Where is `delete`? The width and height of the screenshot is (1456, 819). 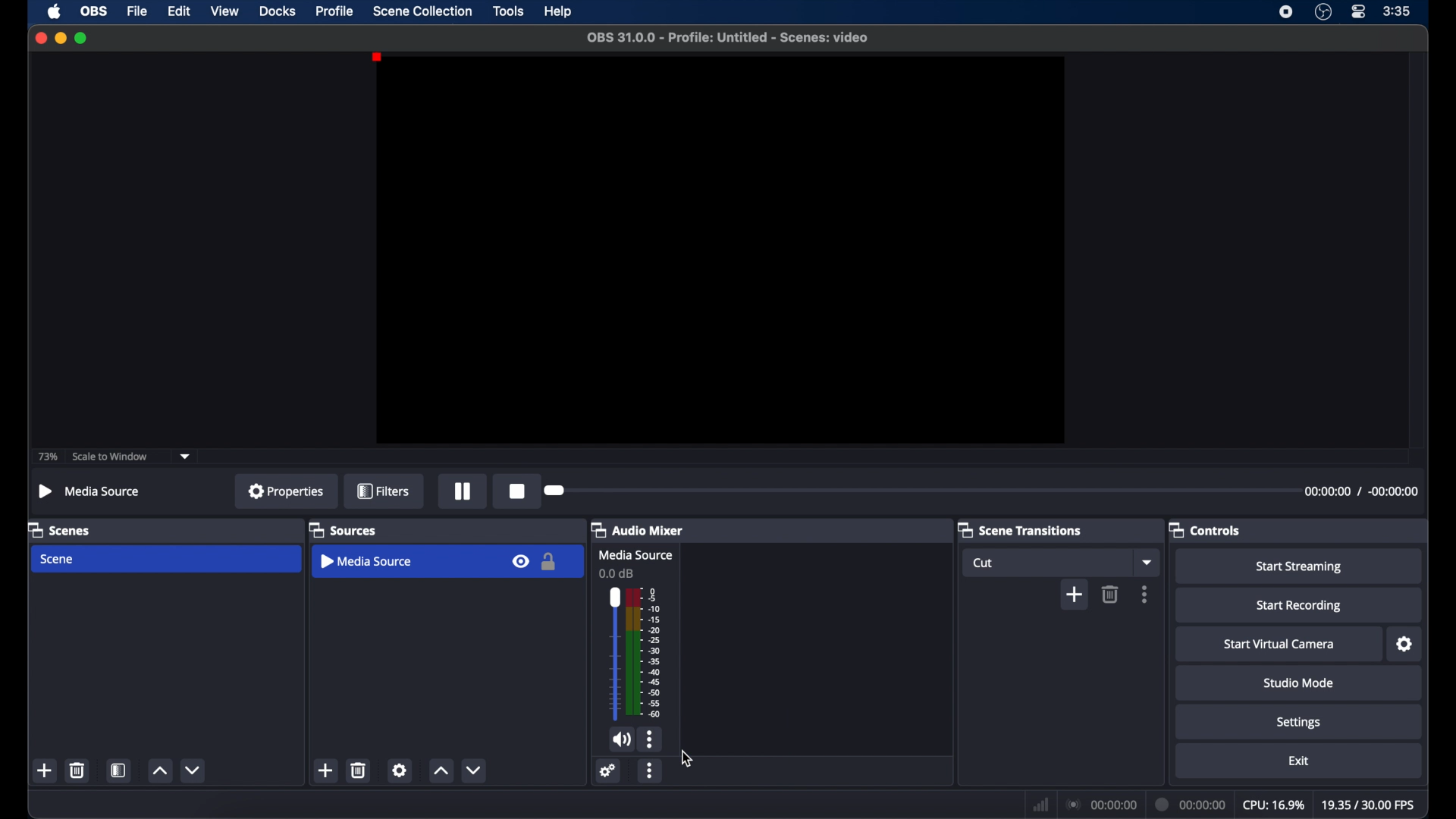 delete is located at coordinates (1111, 594).